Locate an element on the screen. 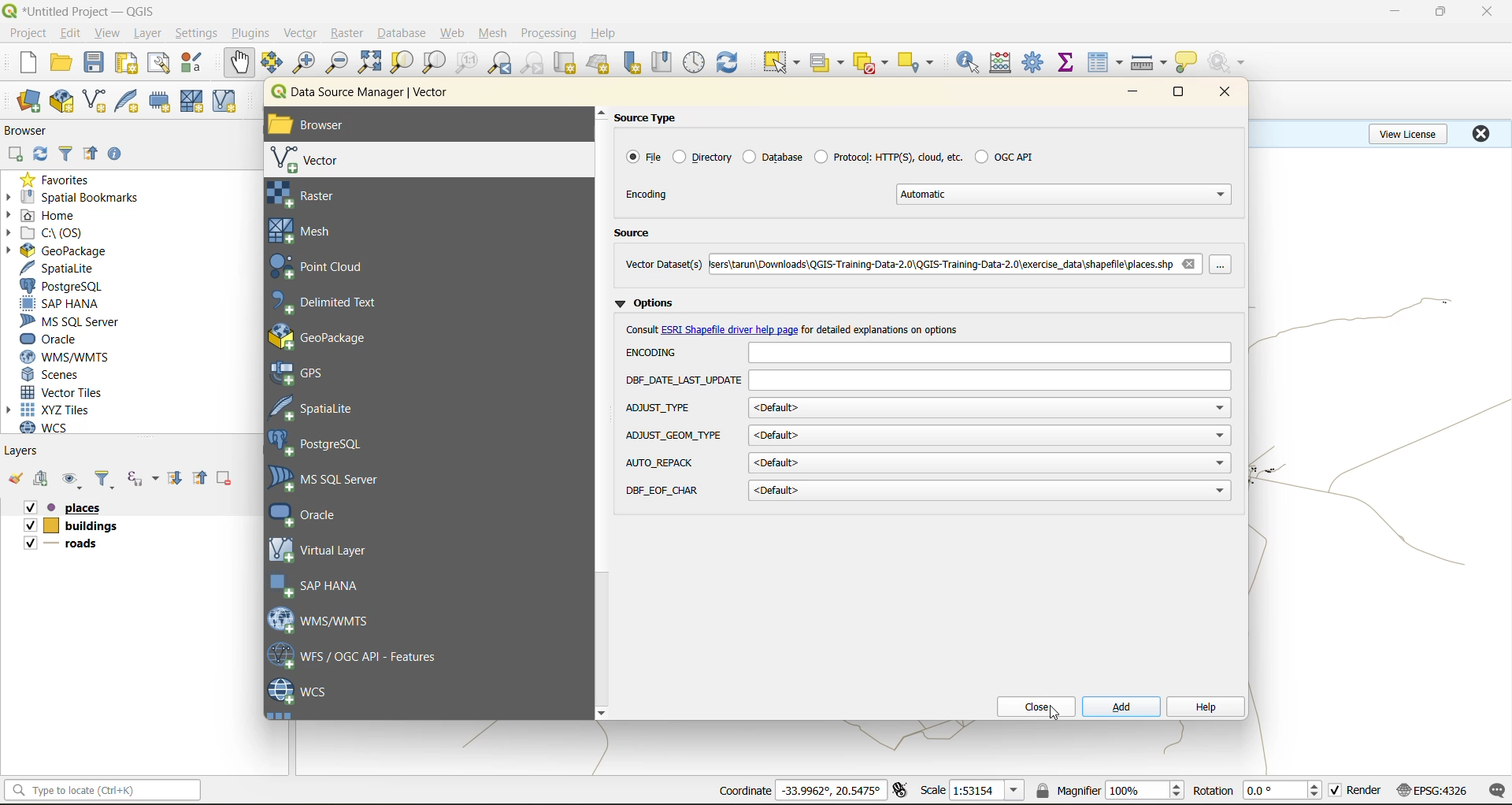 This screenshot has height=805, width=1512. crs is located at coordinates (1432, 789).